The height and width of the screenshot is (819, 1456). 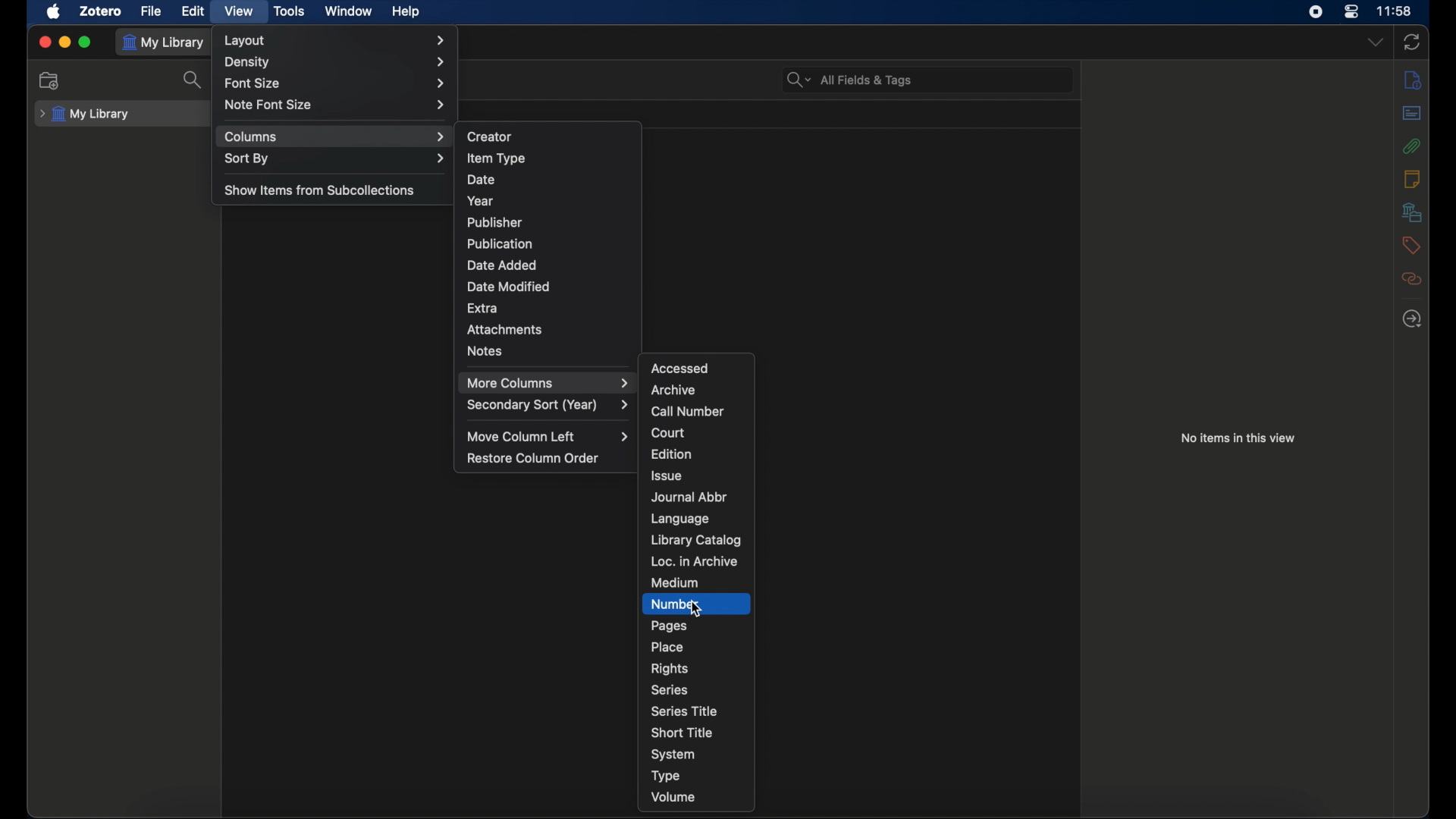 I want to click on accessed, so click(x=679, y=368).